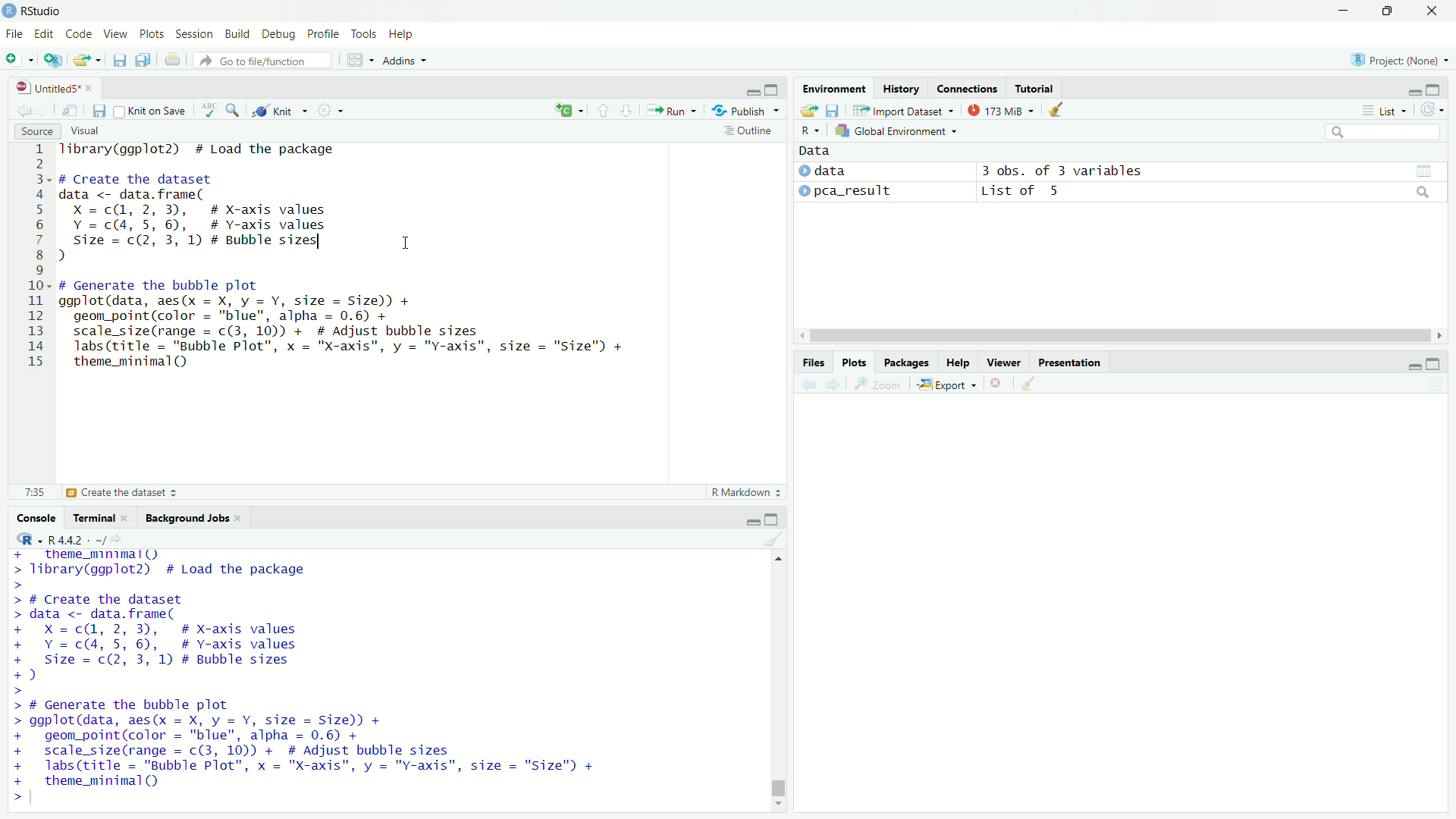 This screenshot has width=1456, height=819. Describe the element at coordinates (1432, 11) in the screenshot. I see `close` at that location.